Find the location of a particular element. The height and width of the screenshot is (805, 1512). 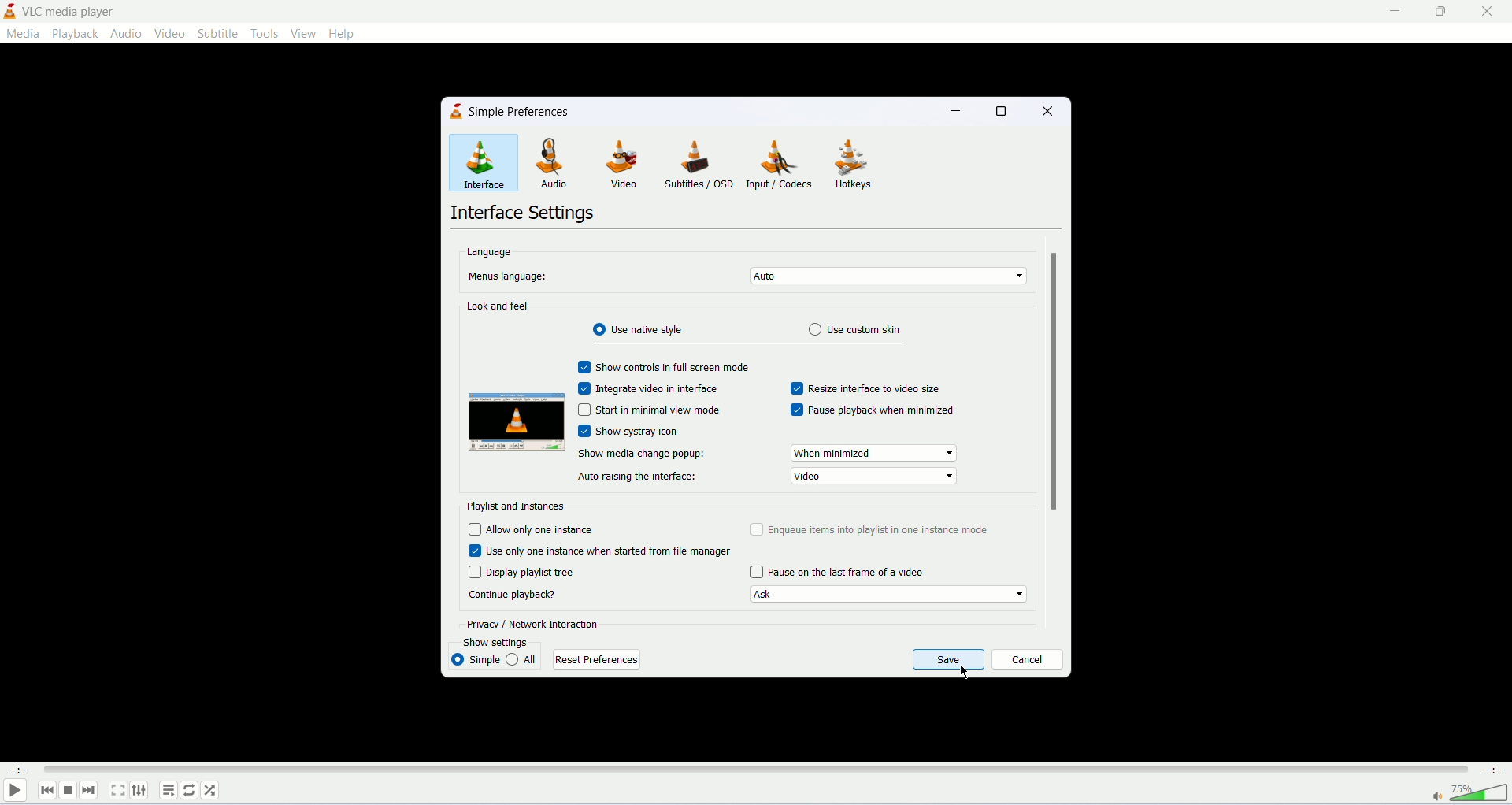

allow only one instance is located at coordinates (562, 532).